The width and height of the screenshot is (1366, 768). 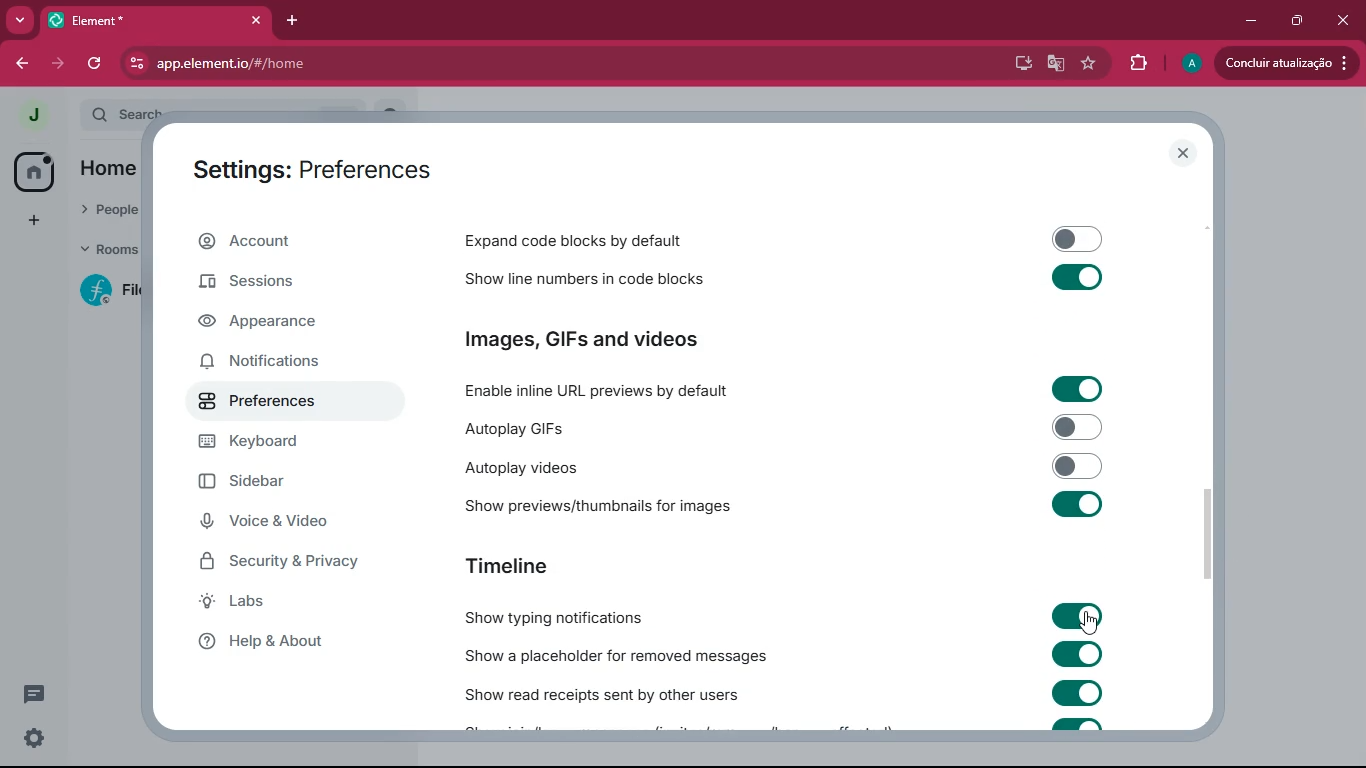 I want to click on toggle on/off, so click(x=1077, y=615).